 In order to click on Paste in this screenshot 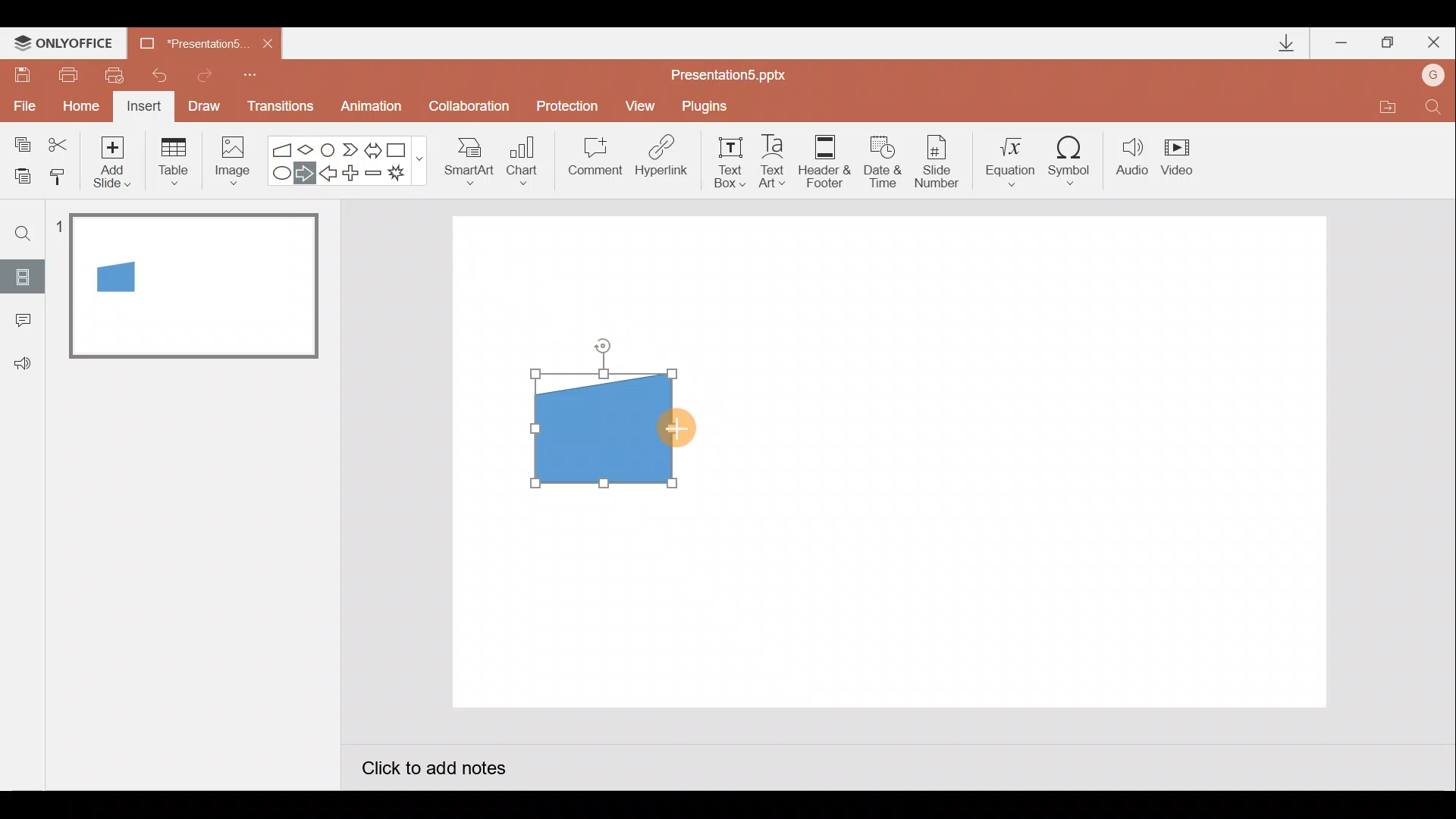, I will do `click(18, 174)`.